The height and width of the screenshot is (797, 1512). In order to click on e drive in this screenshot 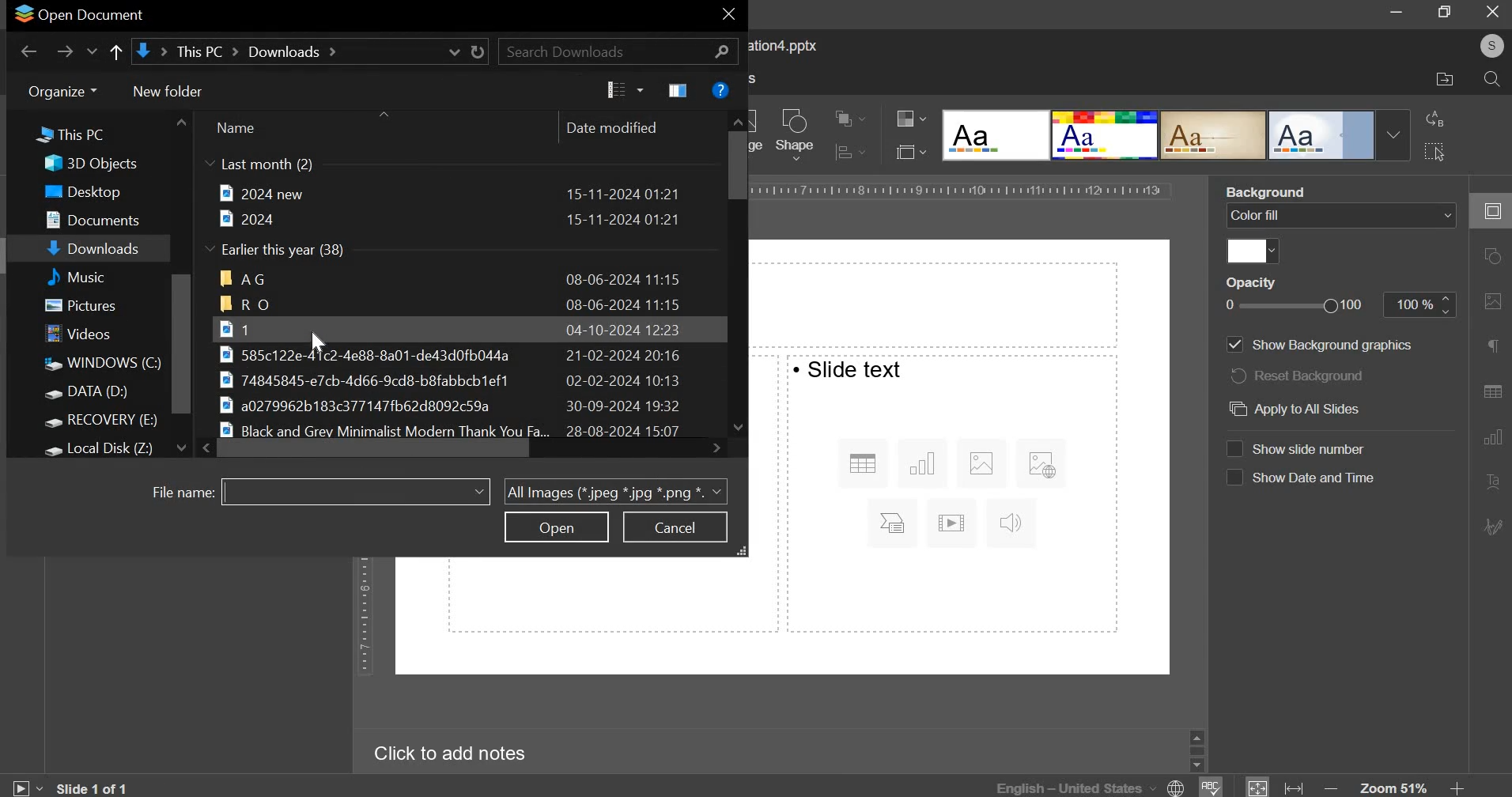, I will do `click(105, 422)`.